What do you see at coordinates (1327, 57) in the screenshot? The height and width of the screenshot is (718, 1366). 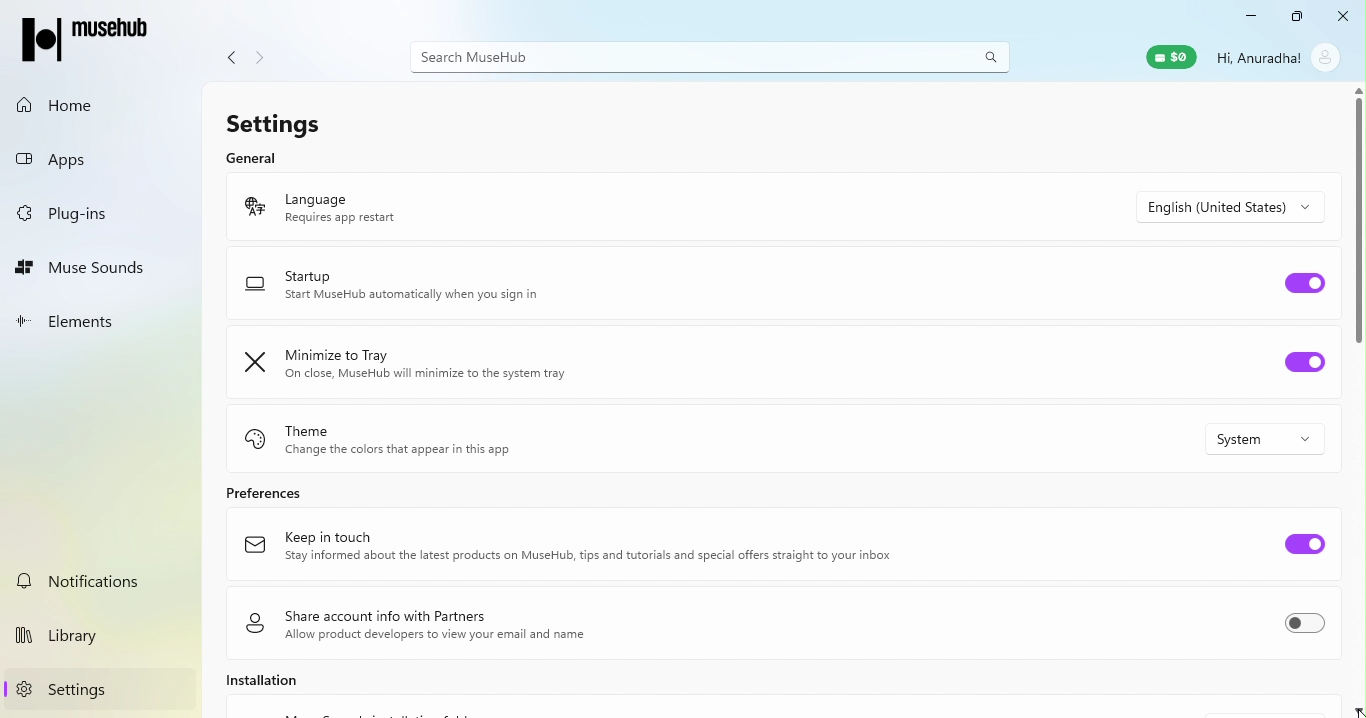 I see `account` at bounding box center [1327, 57].